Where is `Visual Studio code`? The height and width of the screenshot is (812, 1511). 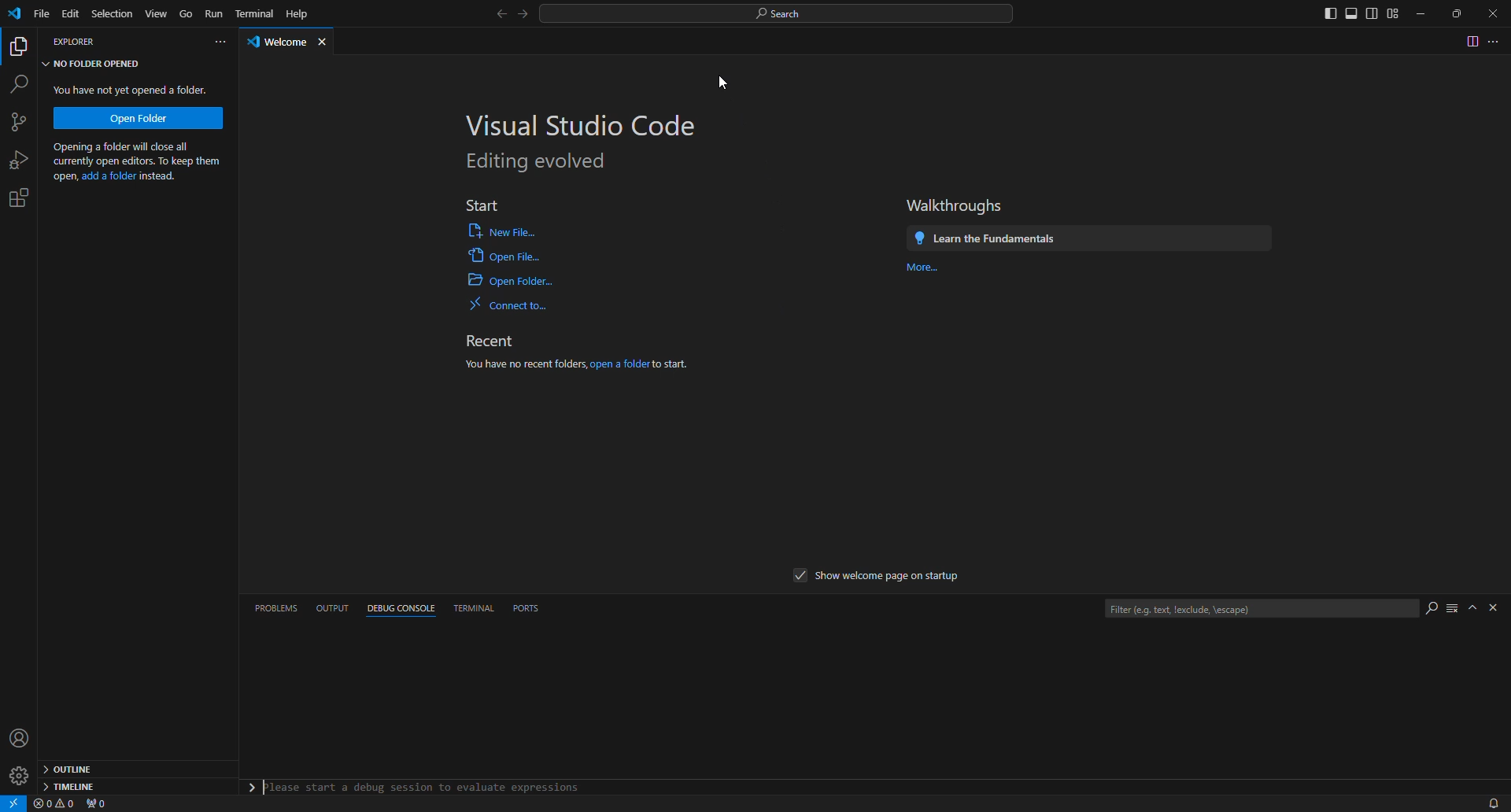
Visual Studio code is located at coordinates (573, 122).